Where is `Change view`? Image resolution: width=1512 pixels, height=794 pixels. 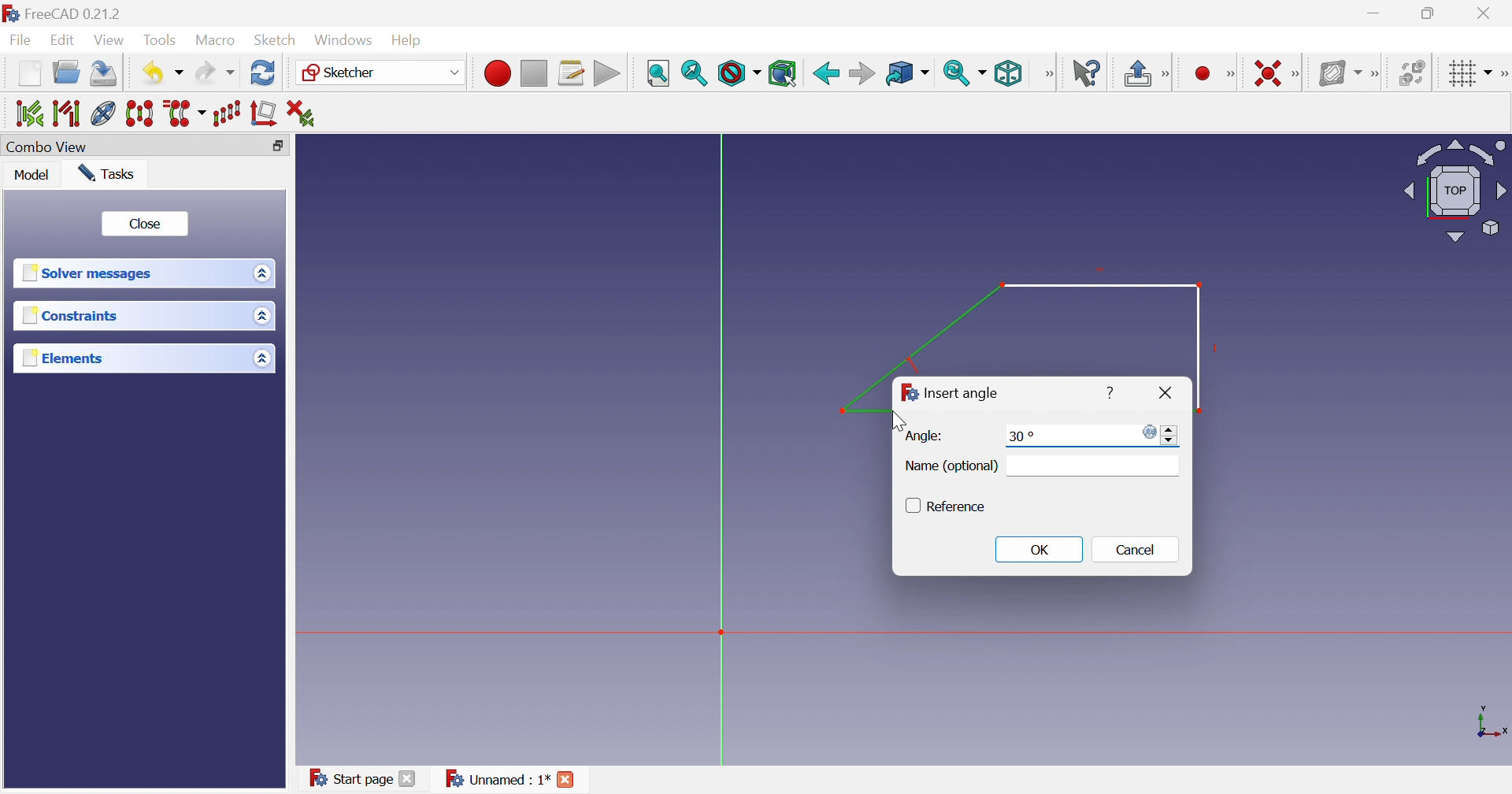 Change view is located at coordinates (277, 146).